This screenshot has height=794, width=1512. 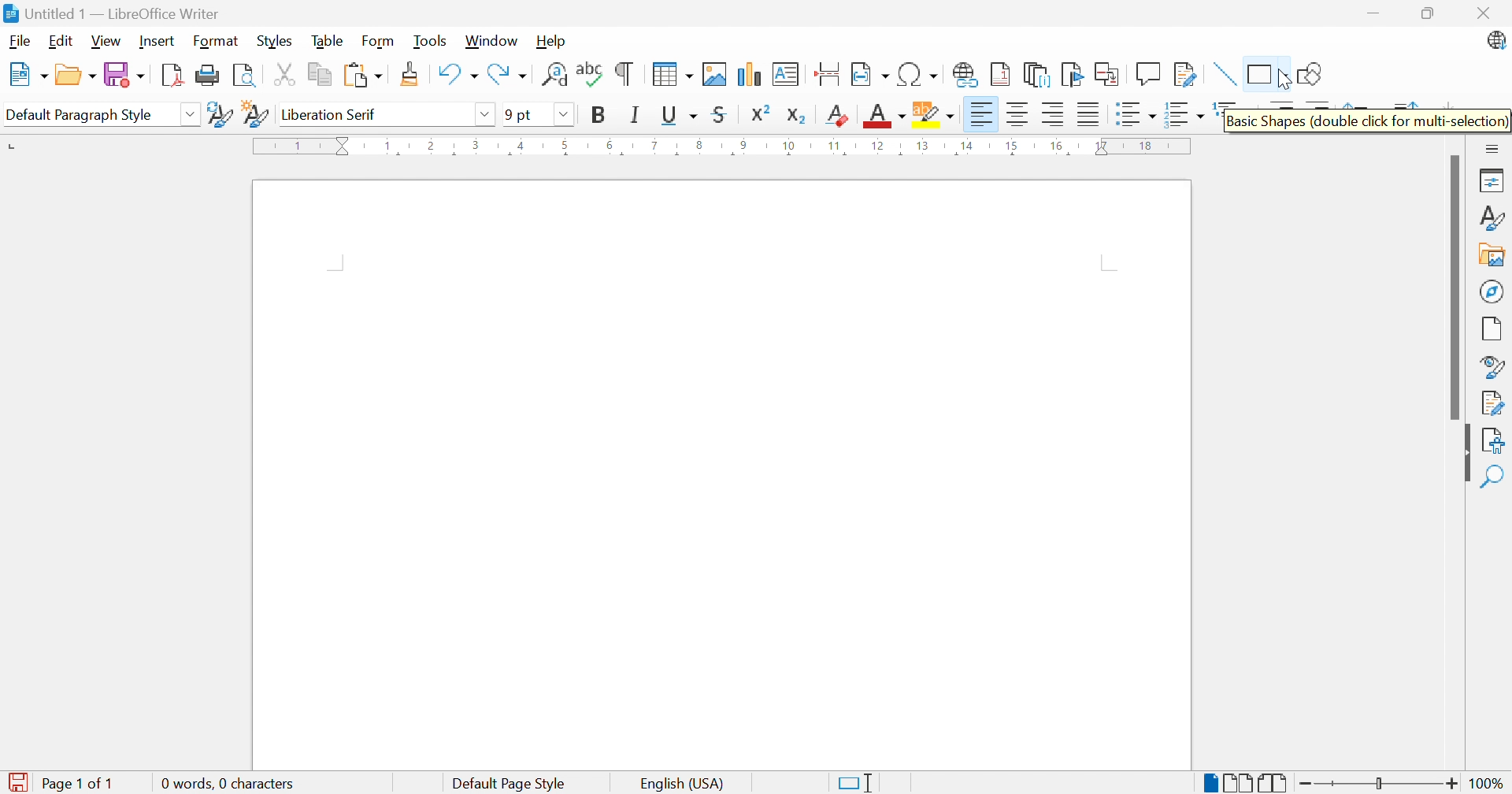 I want to click on Drop down, so click(x=563, y=114).